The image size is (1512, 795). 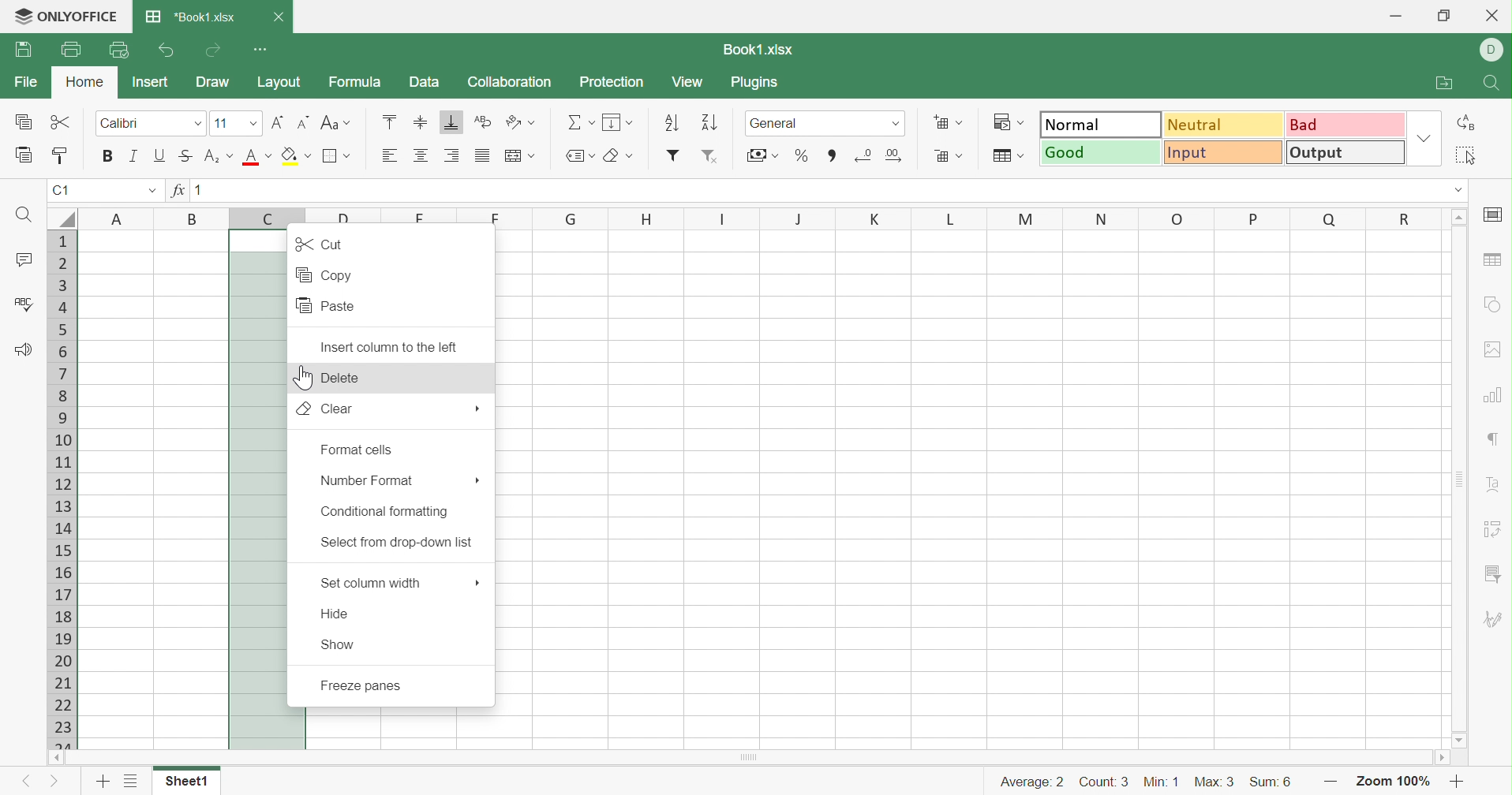 I want to click on Feedback & Support, so click(x=25, y=349).